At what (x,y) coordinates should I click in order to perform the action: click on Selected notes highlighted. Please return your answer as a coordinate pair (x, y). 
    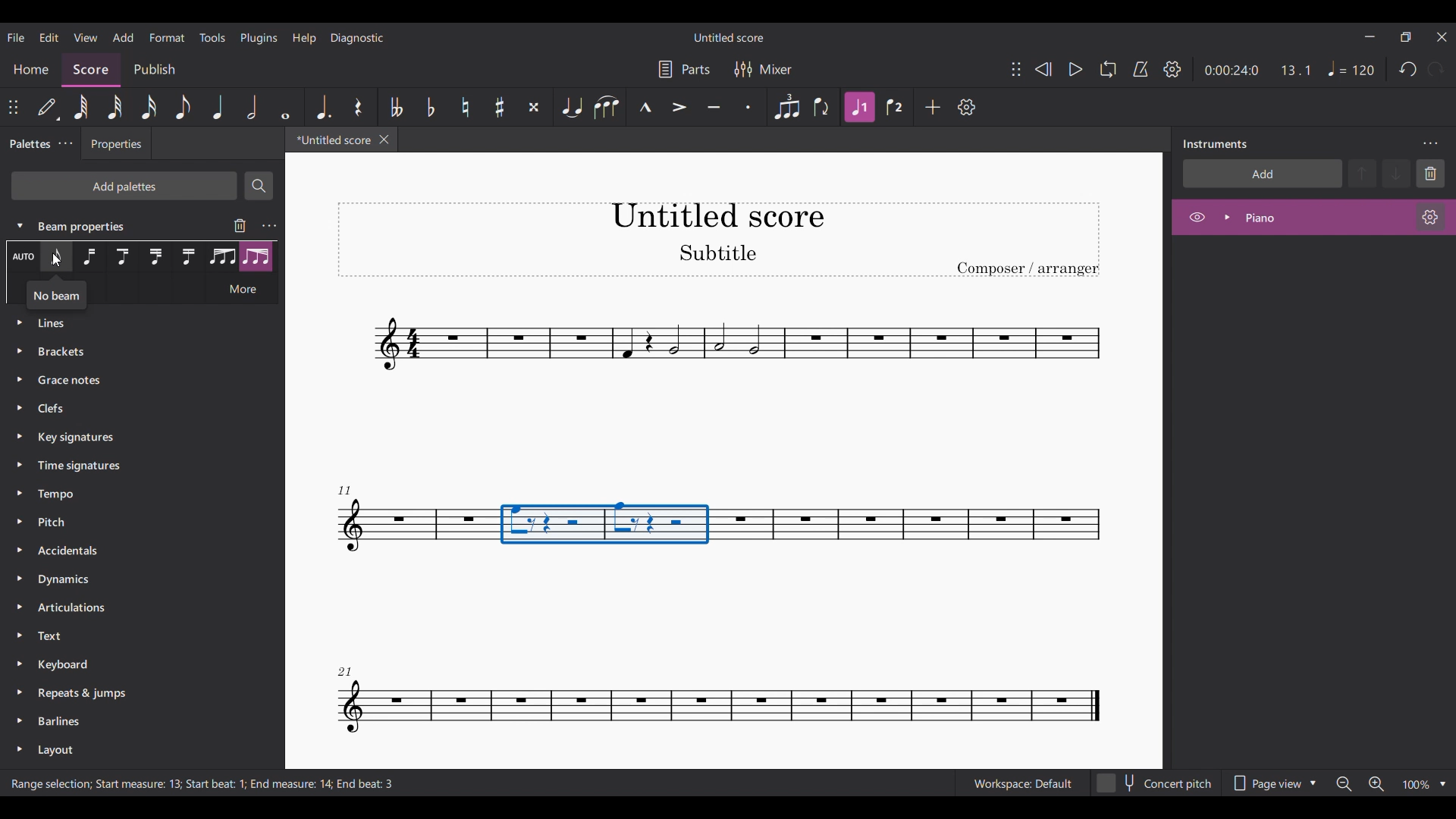
    Looking at the image, I should click on (606, 523).